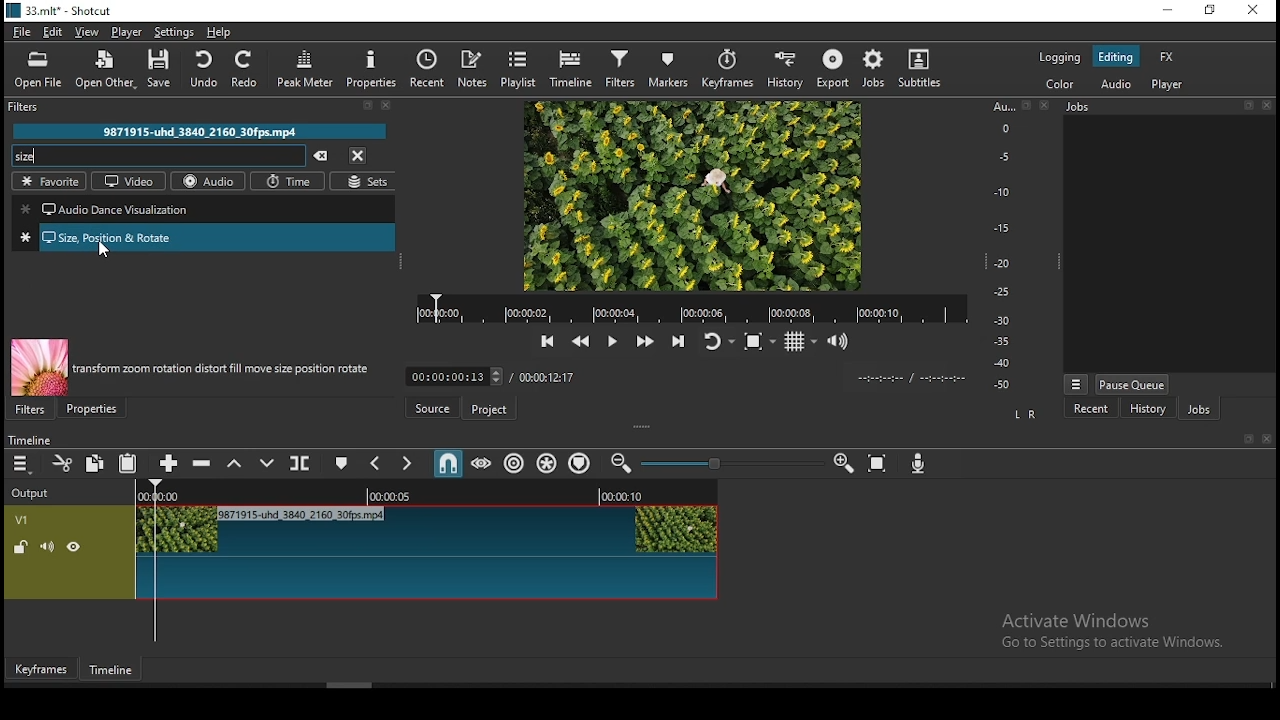 This screenshot has width=1280, height=720. I want to click on open other, so click(103, 72).